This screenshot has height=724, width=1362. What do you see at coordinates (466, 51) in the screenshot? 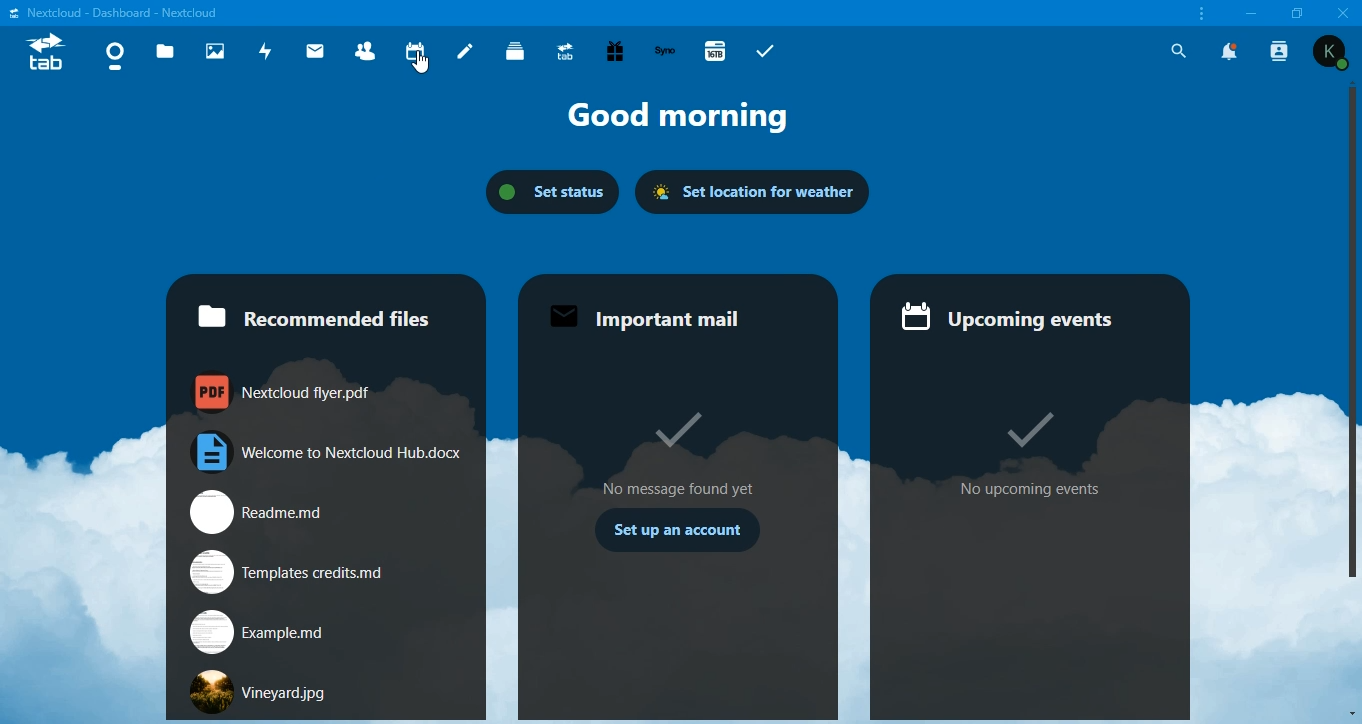
I see `notes` at bounding box center [466, 51].